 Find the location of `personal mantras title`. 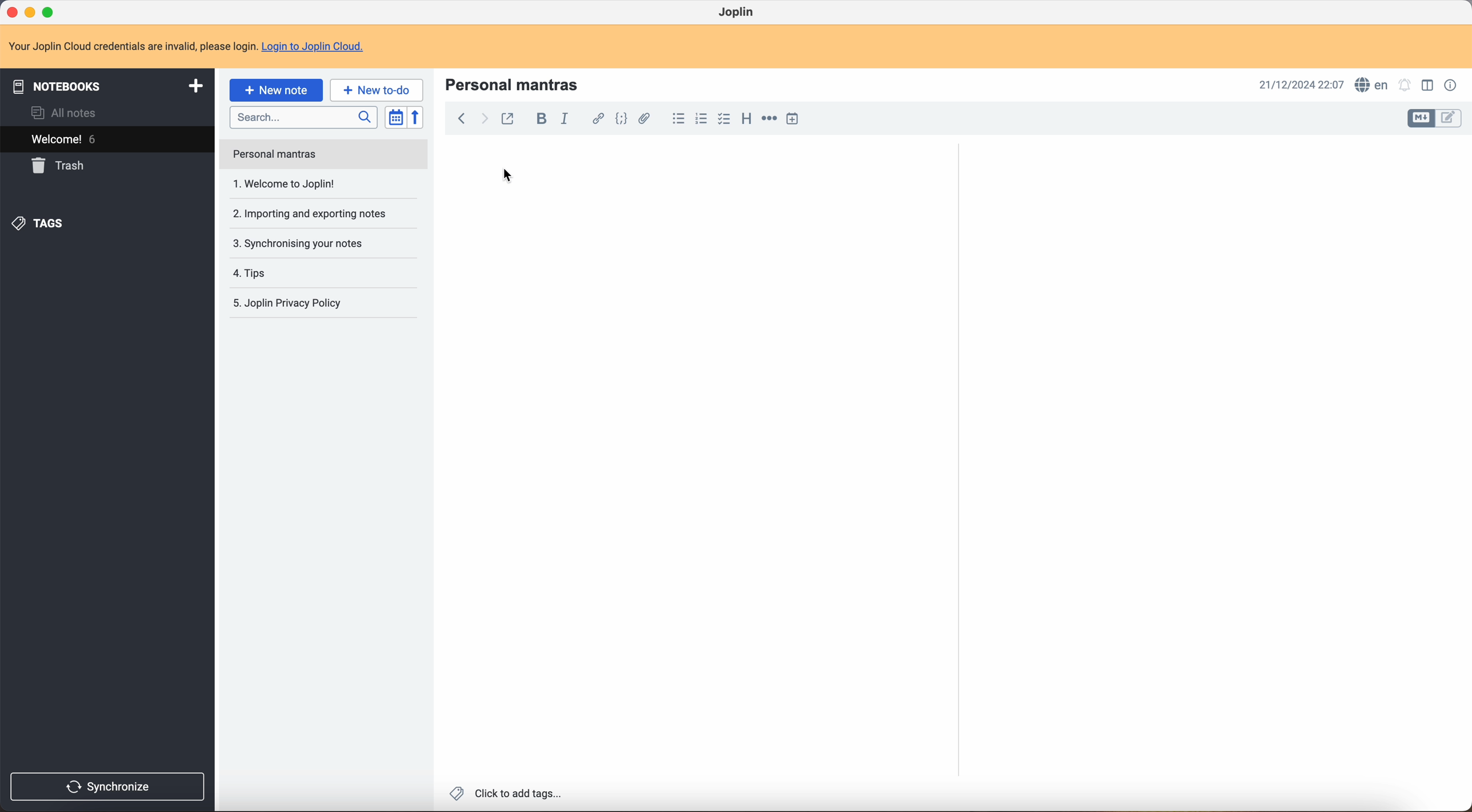

personal mantras title is located at coordinates (516, 83).